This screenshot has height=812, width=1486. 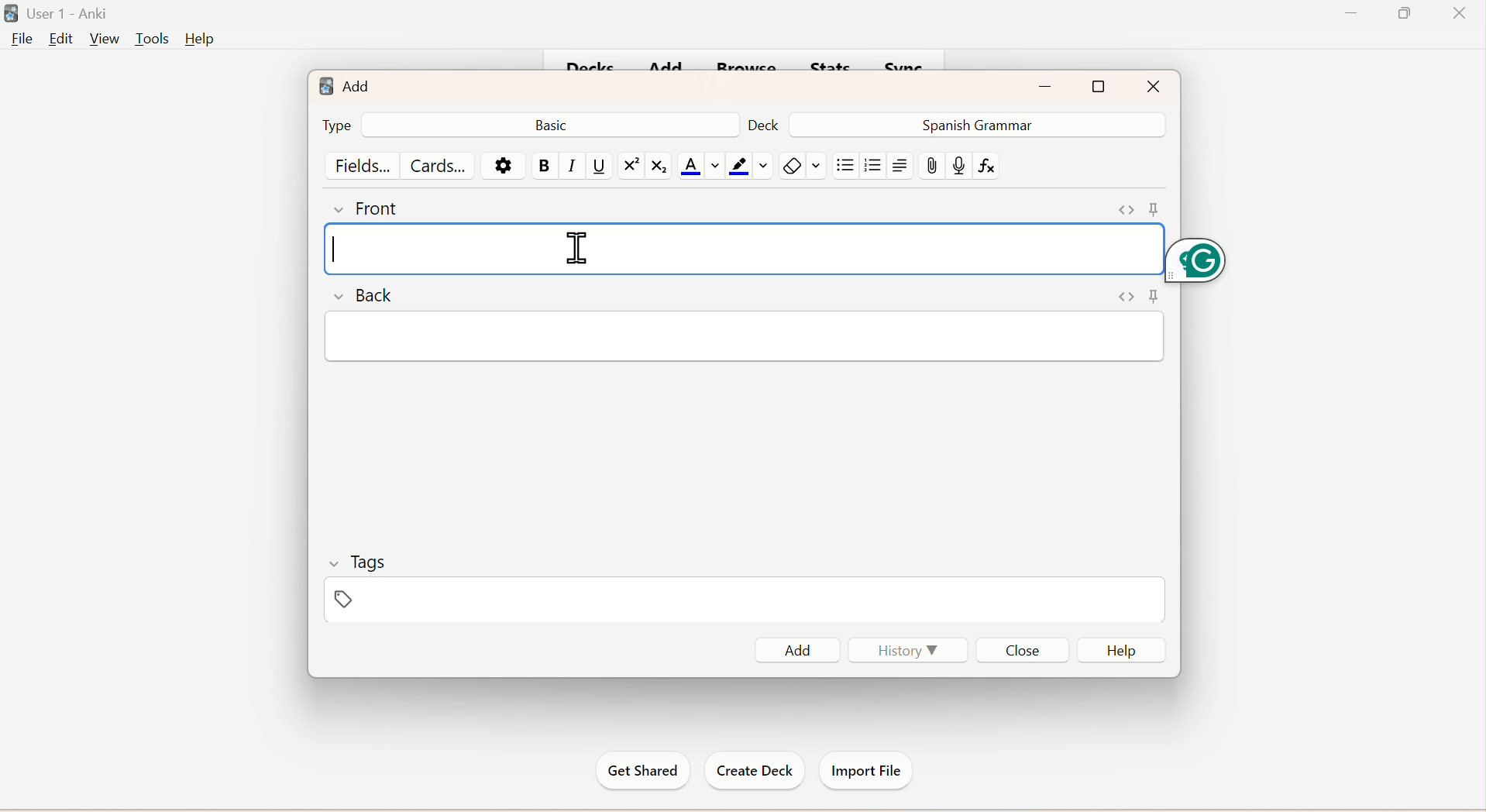 I want to click on Close, so click(x=1152, y=85).